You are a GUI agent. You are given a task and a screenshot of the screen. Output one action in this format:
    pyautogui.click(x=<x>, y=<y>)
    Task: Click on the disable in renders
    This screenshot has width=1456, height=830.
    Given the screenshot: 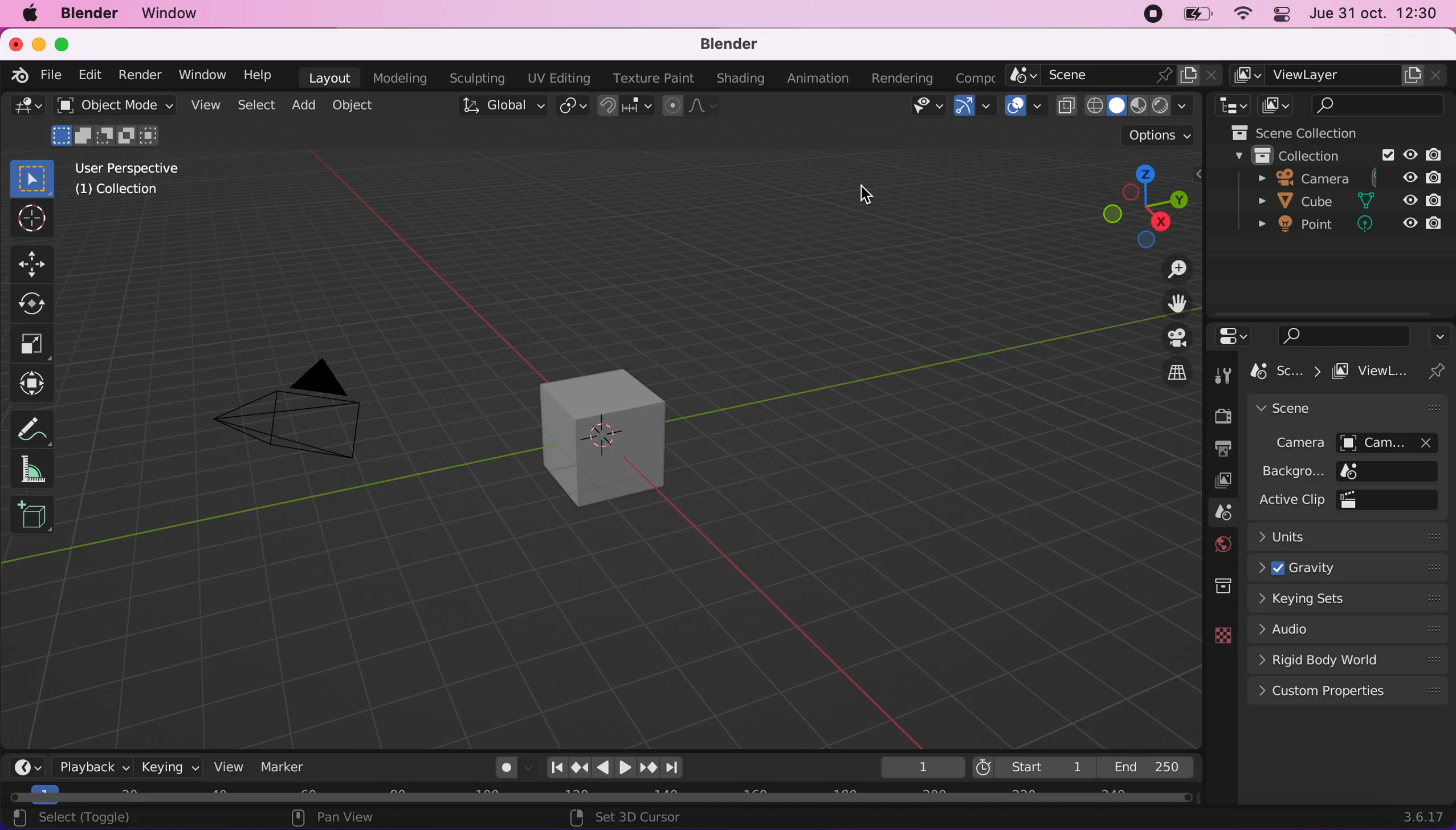 What is the action you would take?
    pyautogui.click(x=1434, y=201)
    